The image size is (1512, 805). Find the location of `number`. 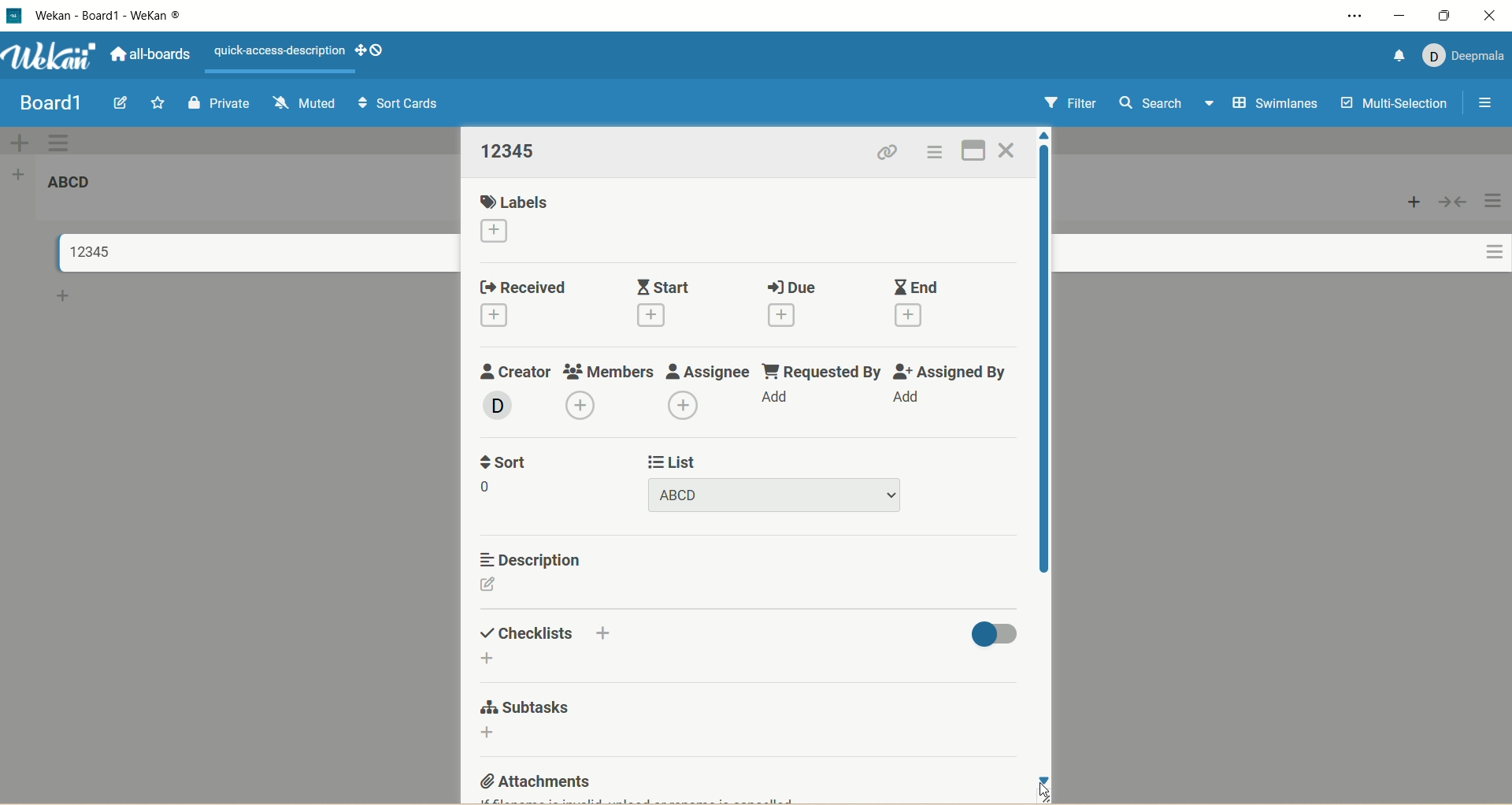

number is located at coordinates (488, 485).